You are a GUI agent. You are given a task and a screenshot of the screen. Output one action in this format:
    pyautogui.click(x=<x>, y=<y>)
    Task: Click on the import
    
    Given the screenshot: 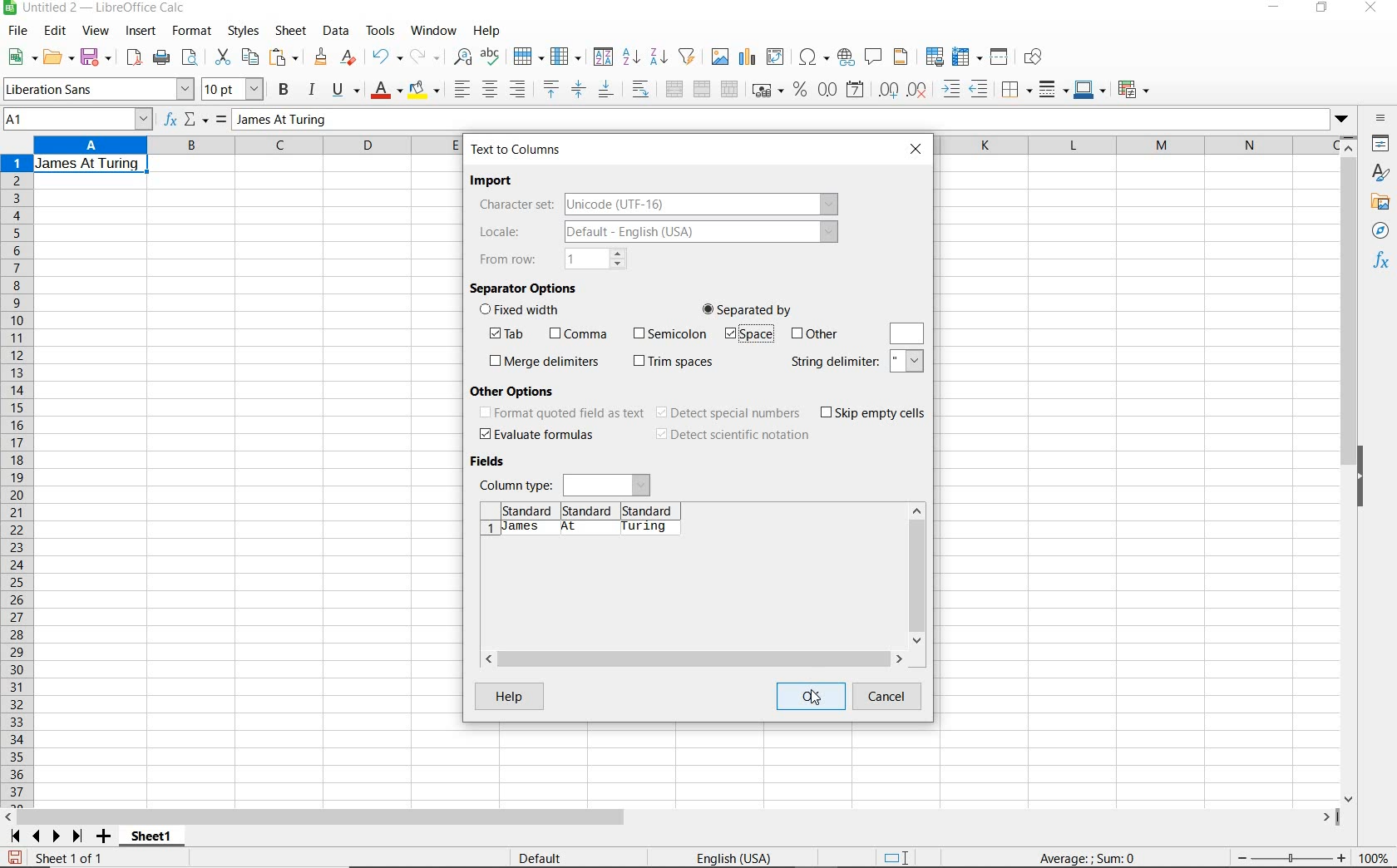 What is the action you would take?
    pyautogui.click(x=495, y=181)
    